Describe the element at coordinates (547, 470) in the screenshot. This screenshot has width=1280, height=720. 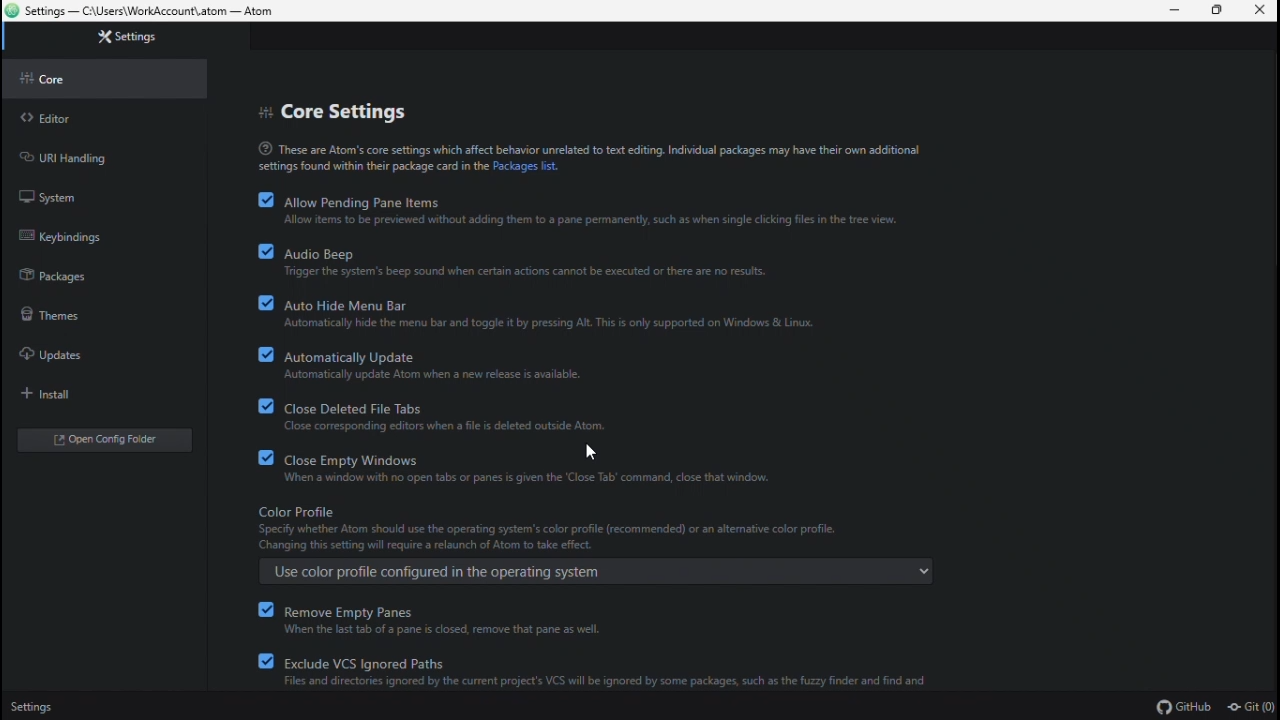
I see `Close empty Windows ` at that location.